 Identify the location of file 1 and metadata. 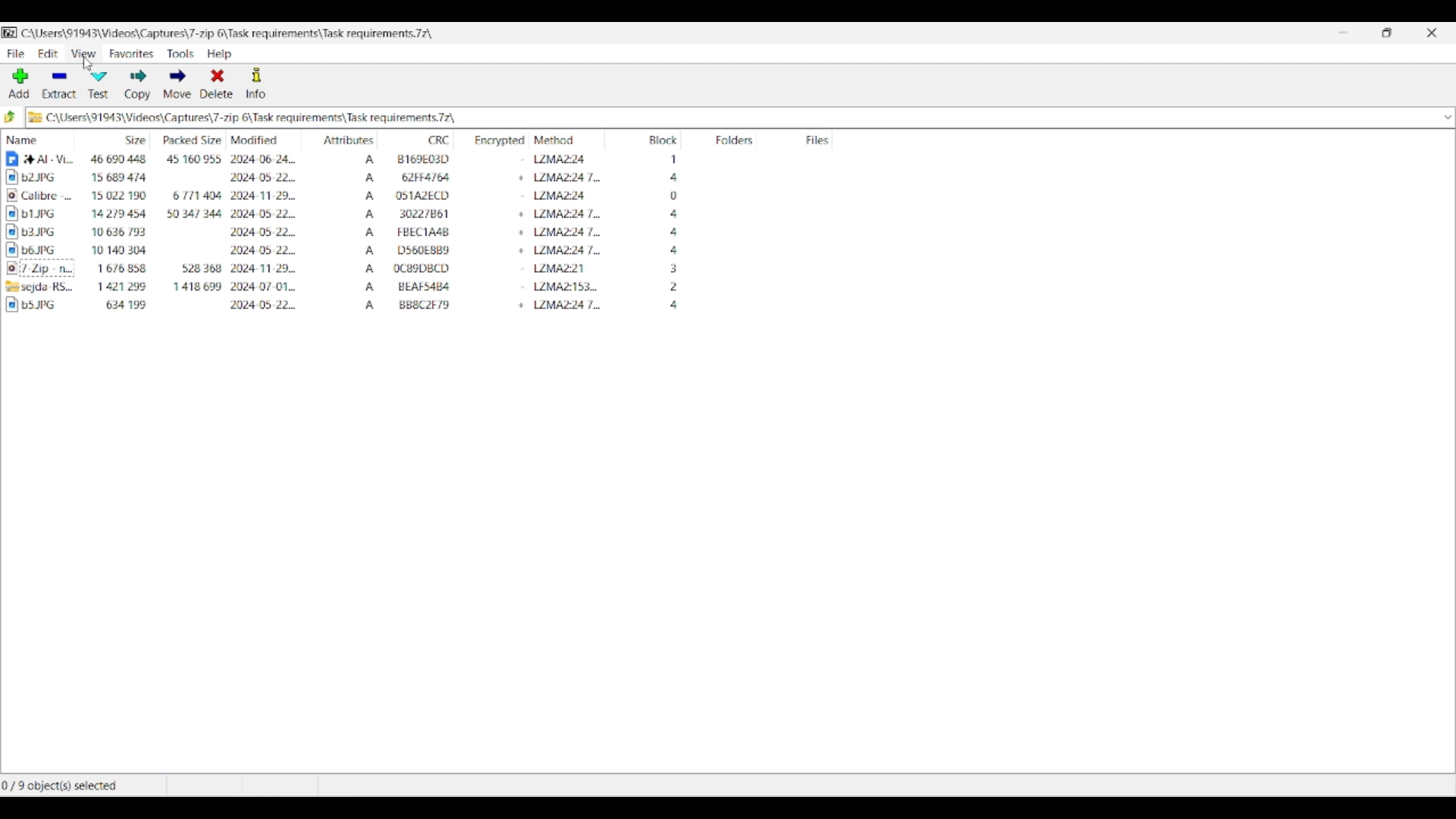
(418, 158).